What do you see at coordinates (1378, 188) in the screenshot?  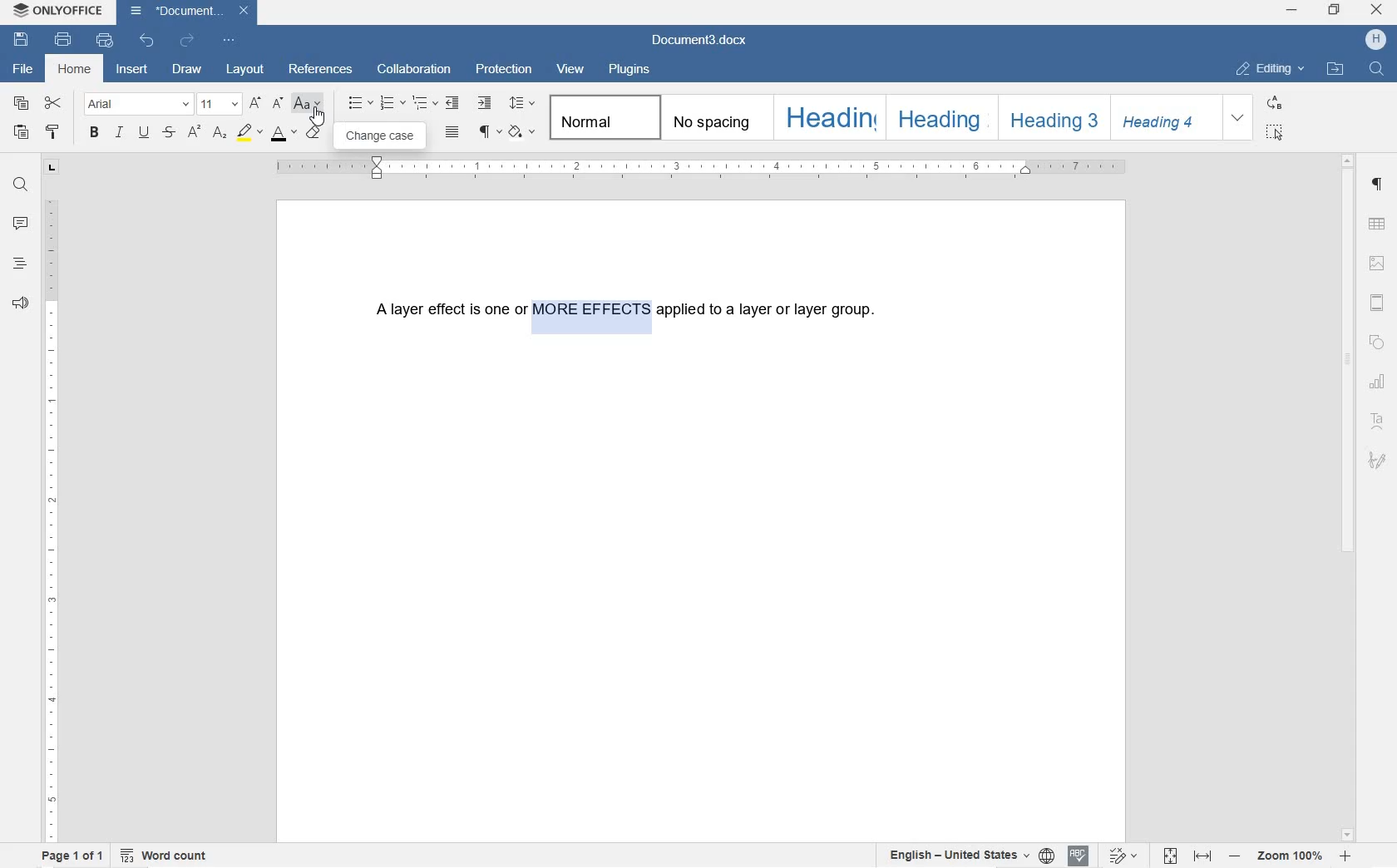 I see `PARAGRAPH SETTINGS` at bounding box center [1378, 188].